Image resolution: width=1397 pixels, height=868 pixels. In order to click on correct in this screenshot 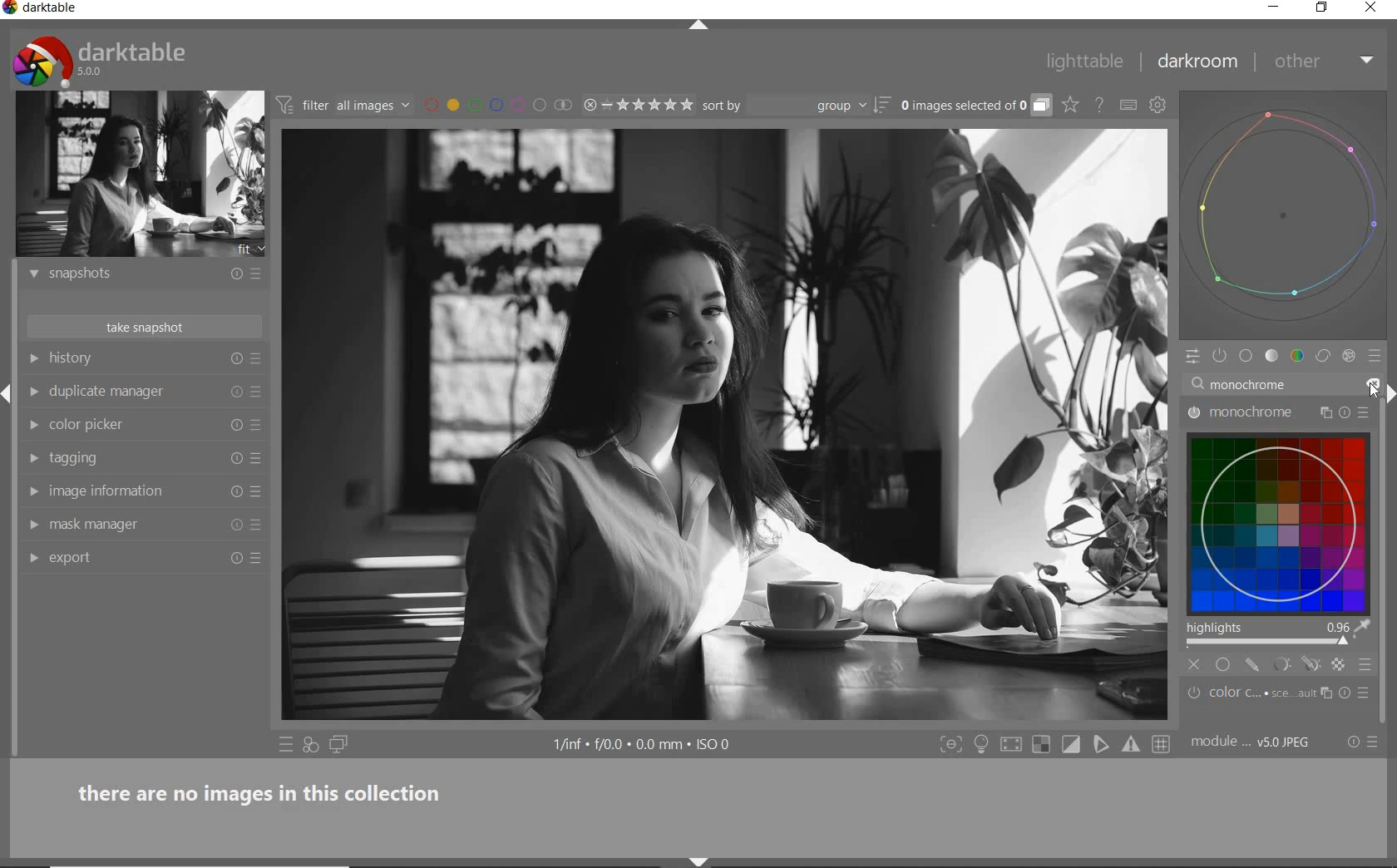, I will do `click(1323, 357)`.